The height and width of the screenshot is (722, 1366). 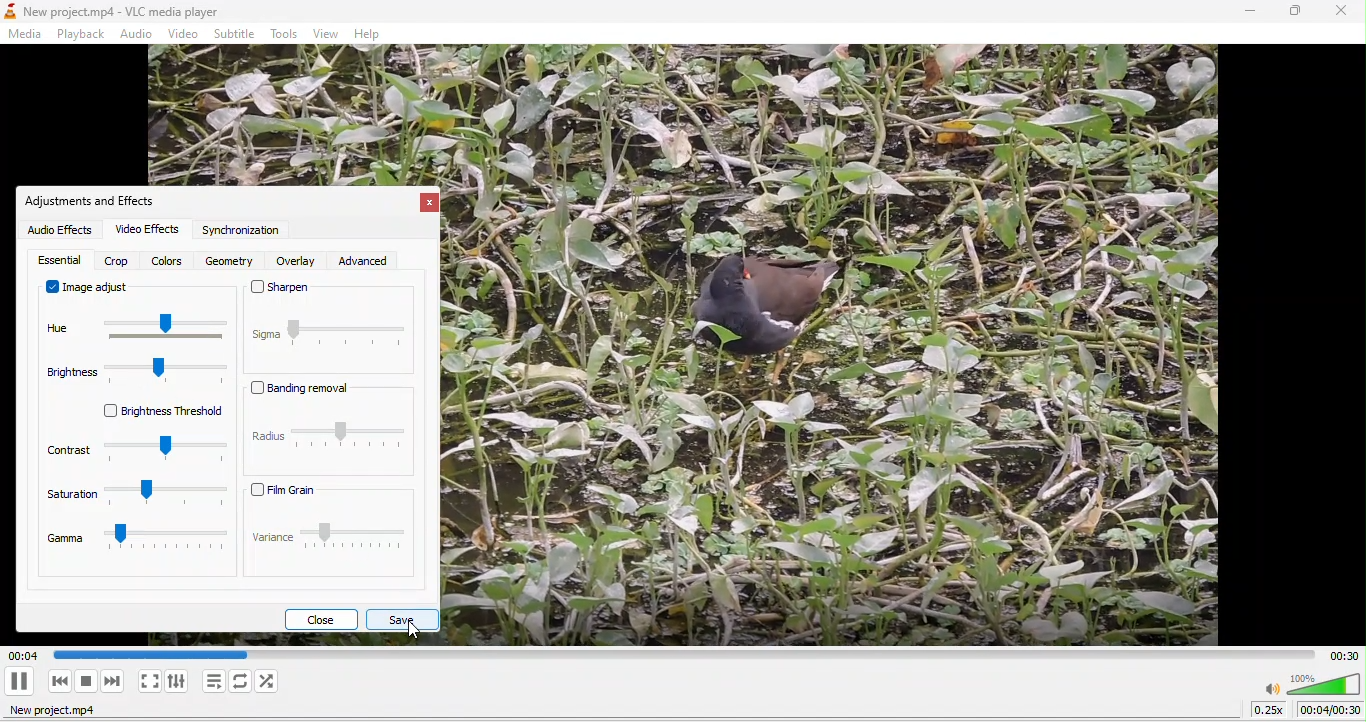 I want to click on new project mp4, so click(x=61, y=713).